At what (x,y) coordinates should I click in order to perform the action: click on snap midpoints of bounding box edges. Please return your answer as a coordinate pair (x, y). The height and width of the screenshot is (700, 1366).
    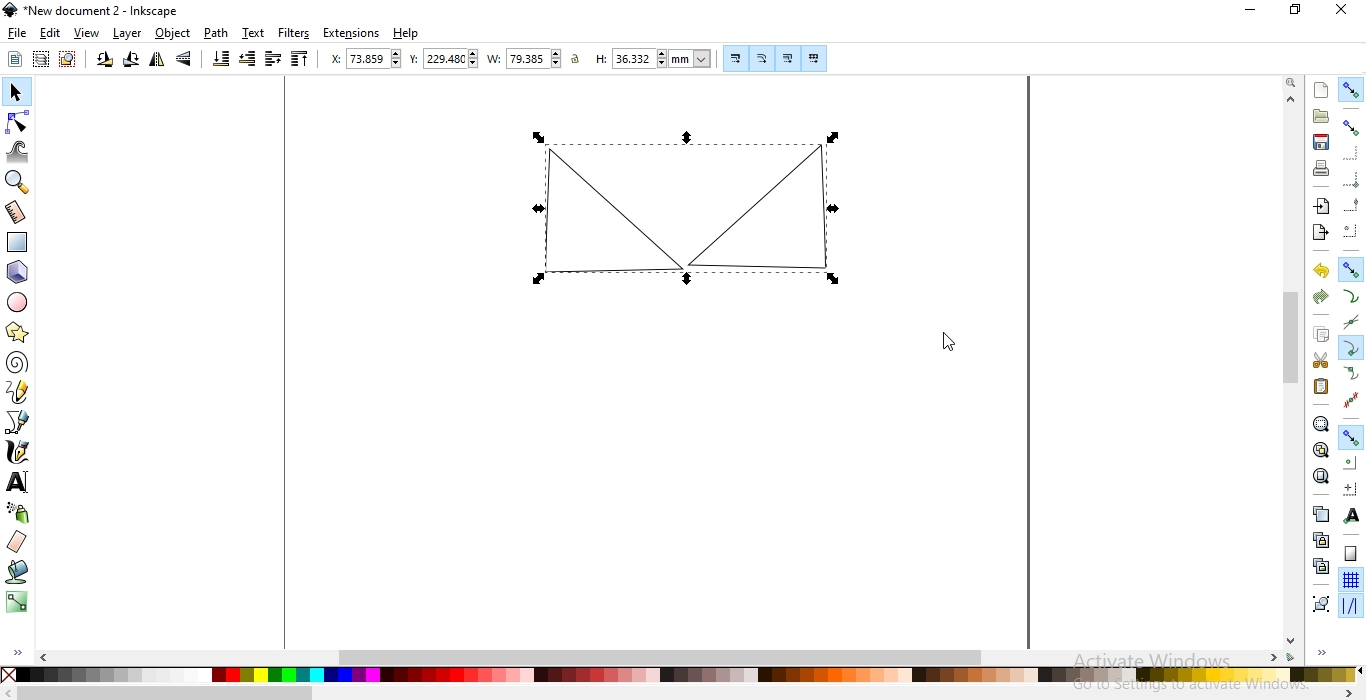
    Looking at the image, I should click on (1352, 203).